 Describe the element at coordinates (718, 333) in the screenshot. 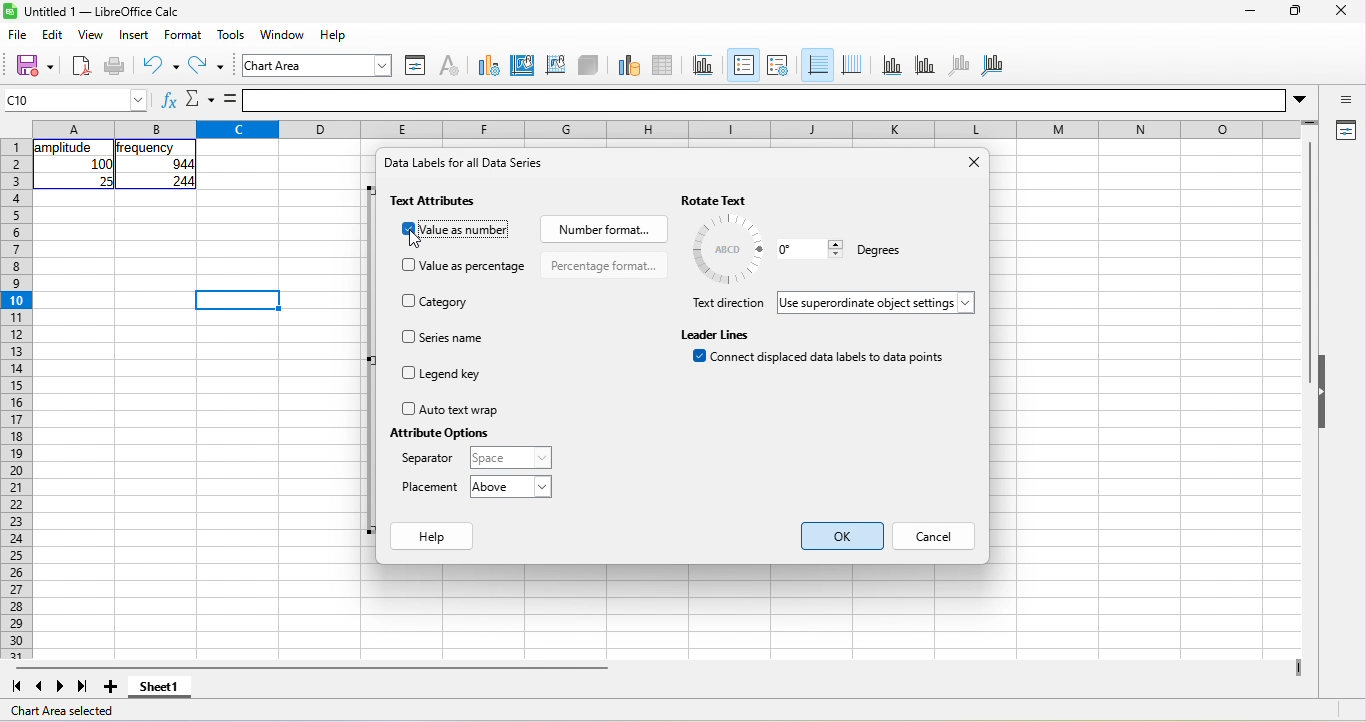

I see `leader lines` at that location.